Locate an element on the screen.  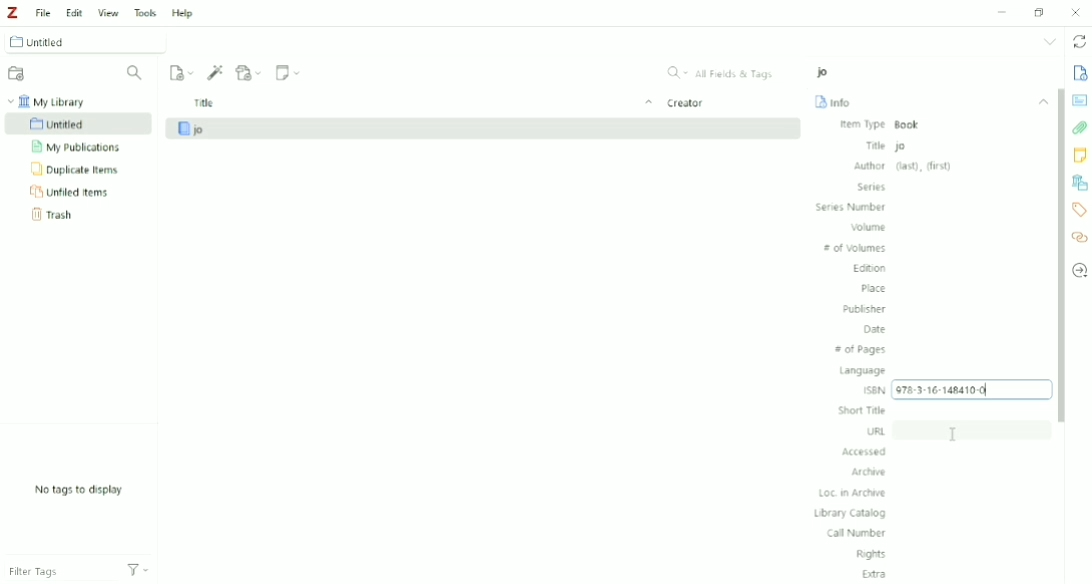
Filter Collections is located at coordinates (135, 75).